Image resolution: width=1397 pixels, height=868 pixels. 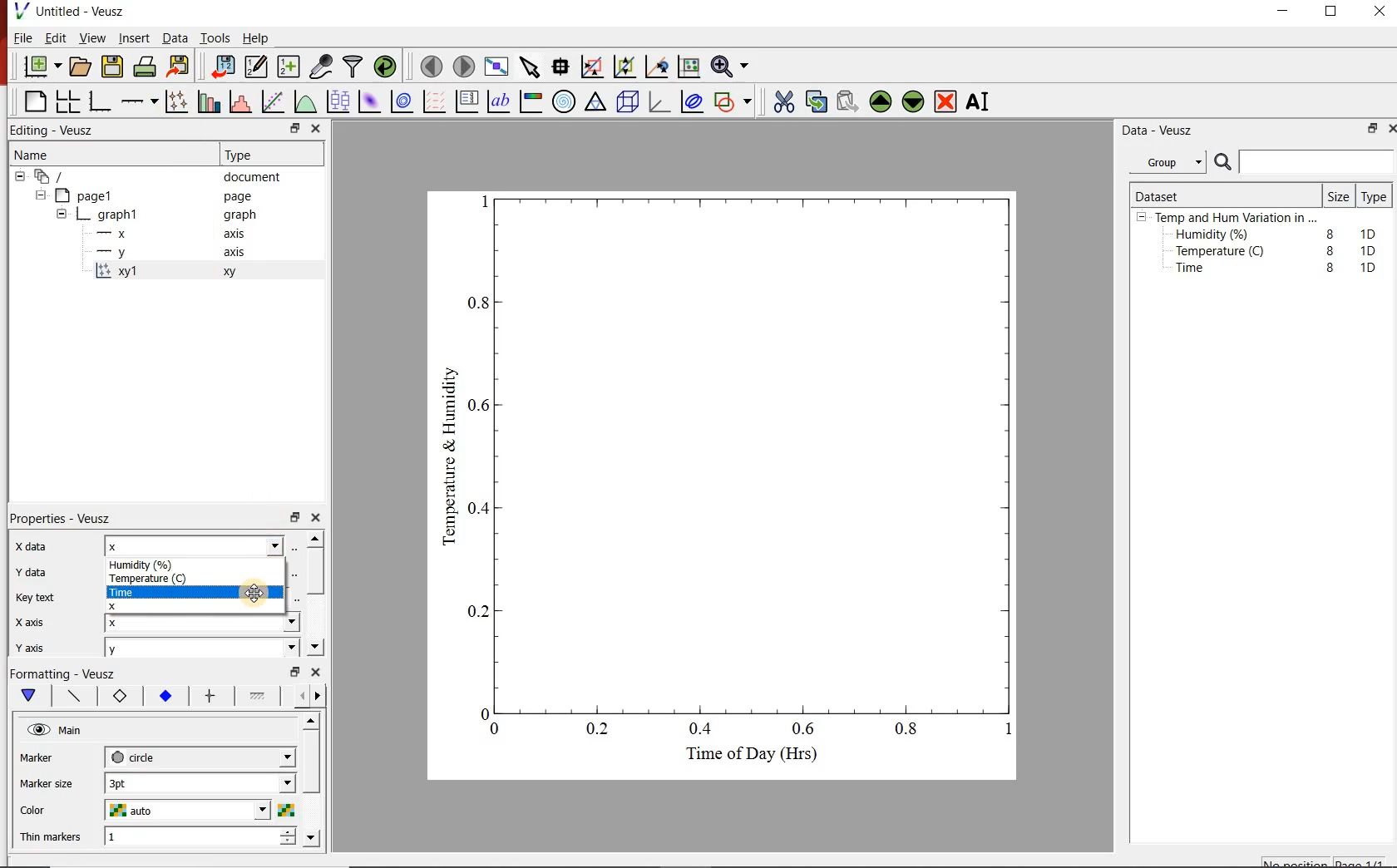 What do you see at coordinates (249, 784) in the screenshot?
I see `Marker size dropdown` at bounding box center [249, 784].